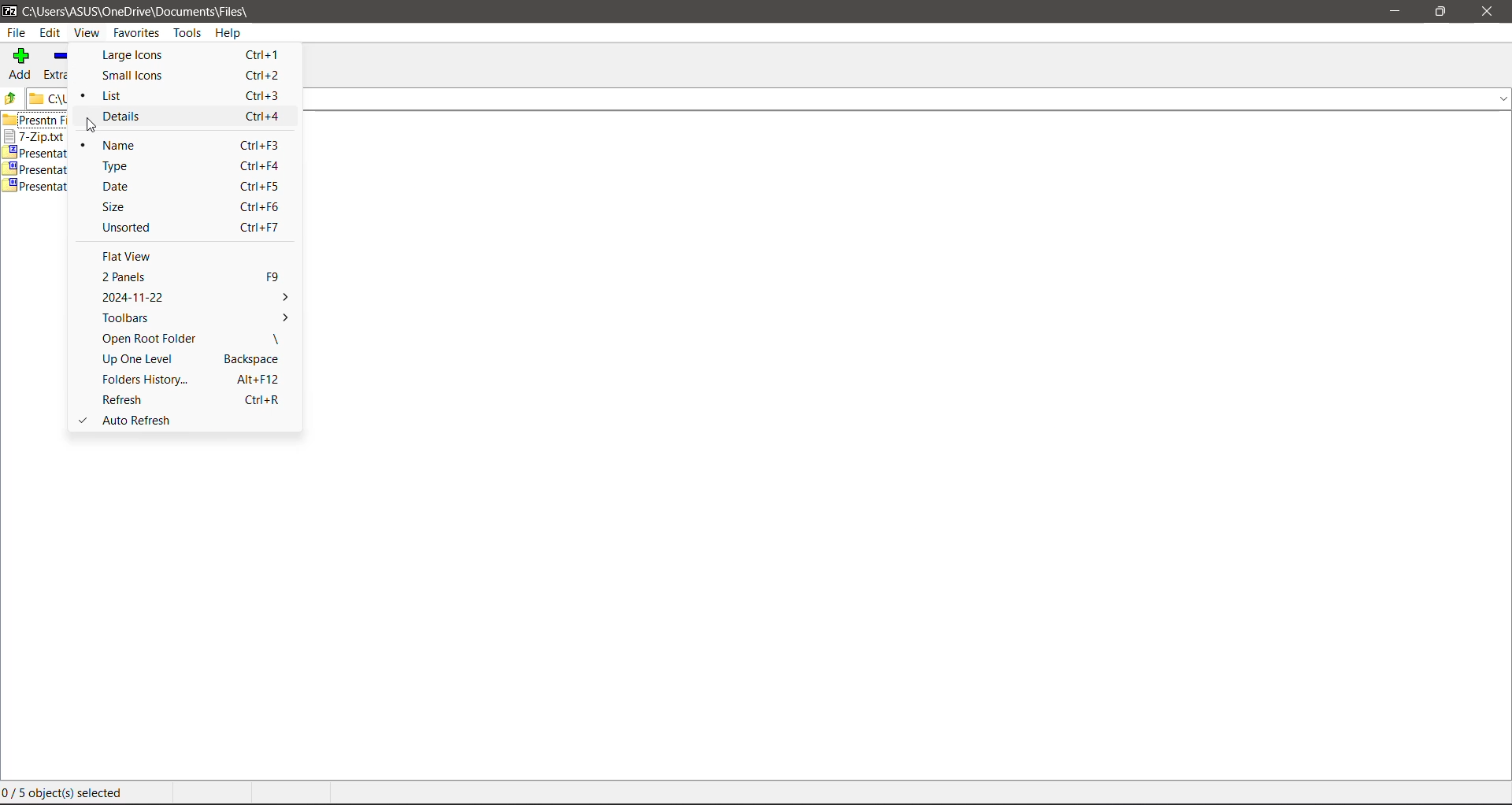 The width and height of the screenshot is (1512, 805). I want to click on Unsorted, so click(186, 228).